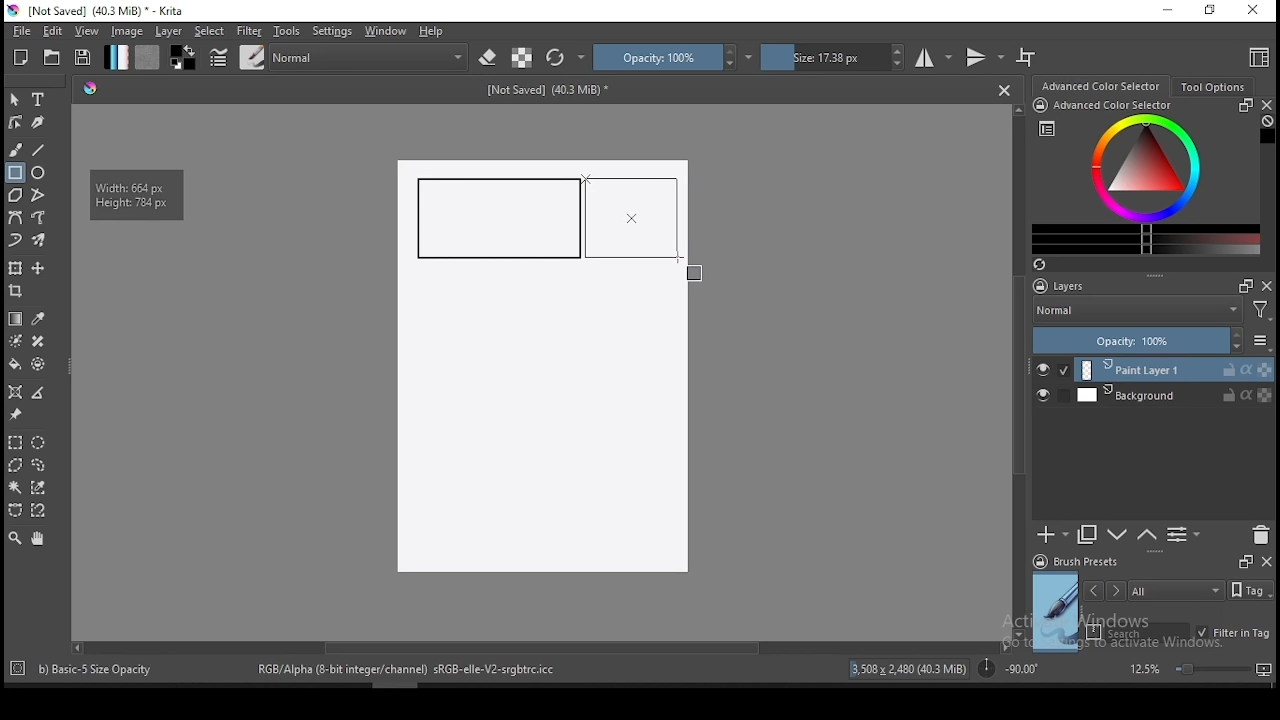  Describe the element at coordinates (38, 269) in the screenshot. I see `move a layer` at that location.